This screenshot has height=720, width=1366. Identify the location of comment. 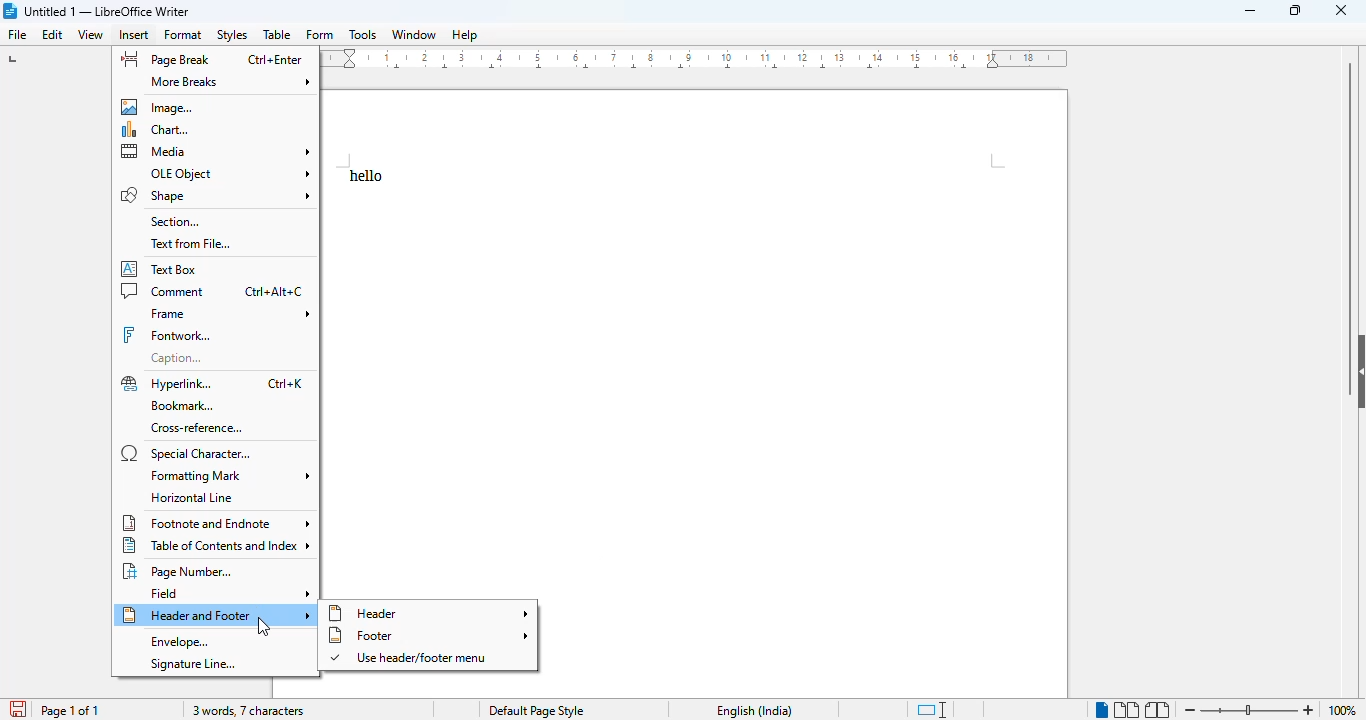
(164, 291).